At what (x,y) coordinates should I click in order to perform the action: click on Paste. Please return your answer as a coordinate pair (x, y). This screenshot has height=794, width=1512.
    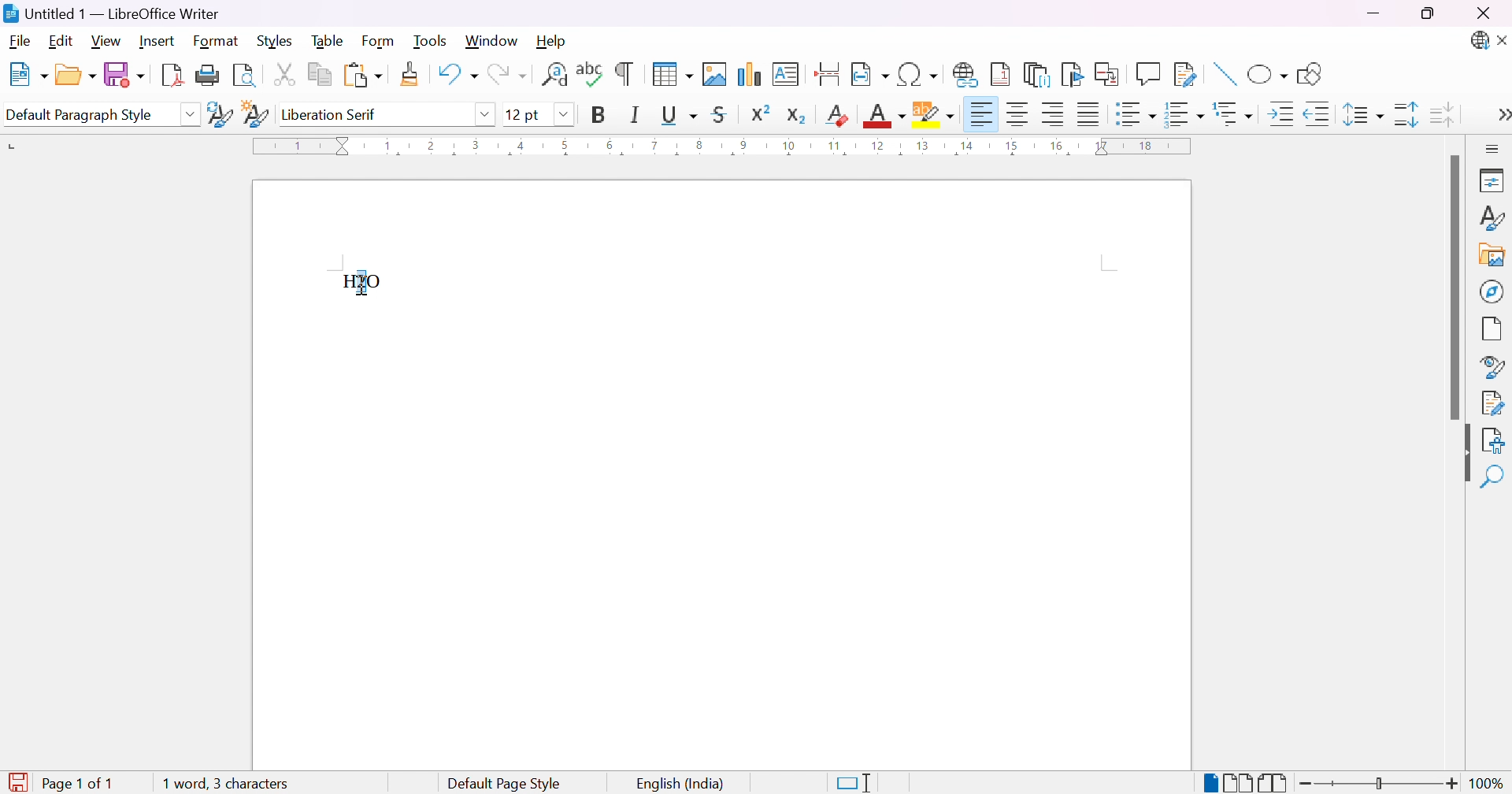
    Looking at the image, I should click on (362, 76).